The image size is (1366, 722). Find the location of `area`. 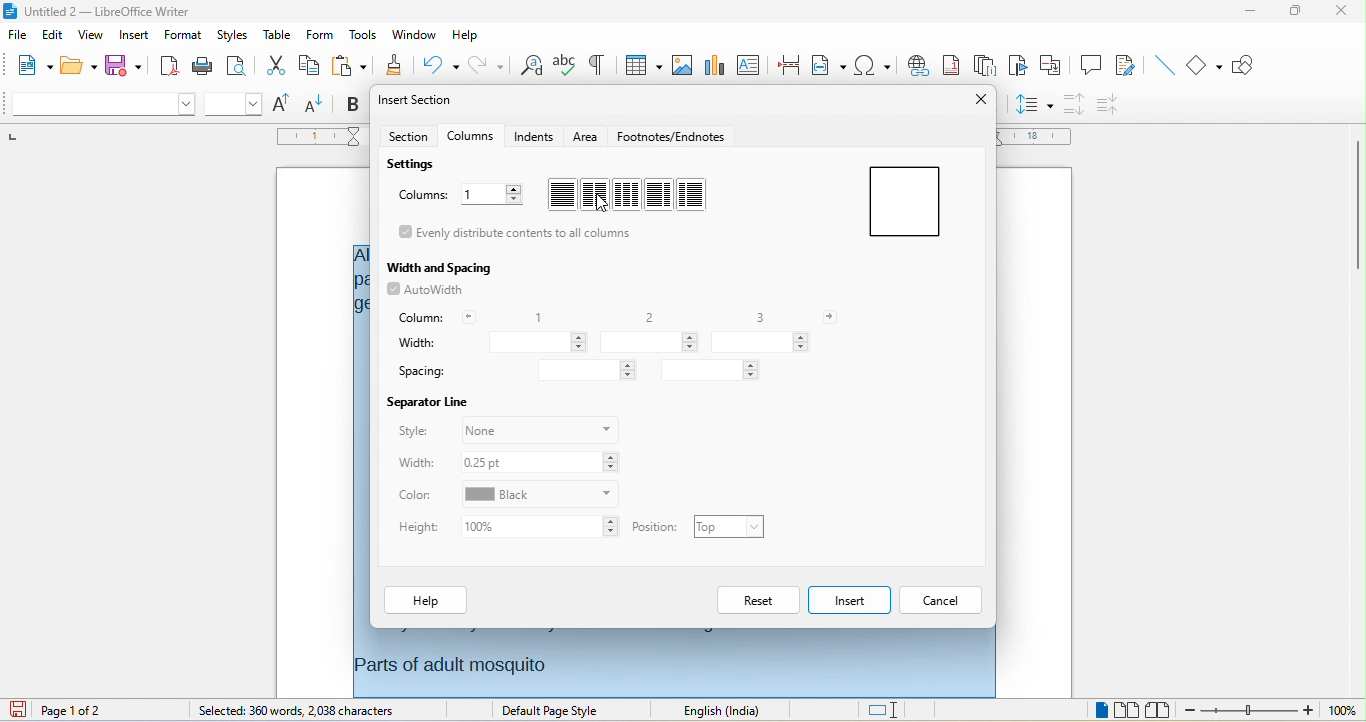

area is located at coordinates (587, 136).